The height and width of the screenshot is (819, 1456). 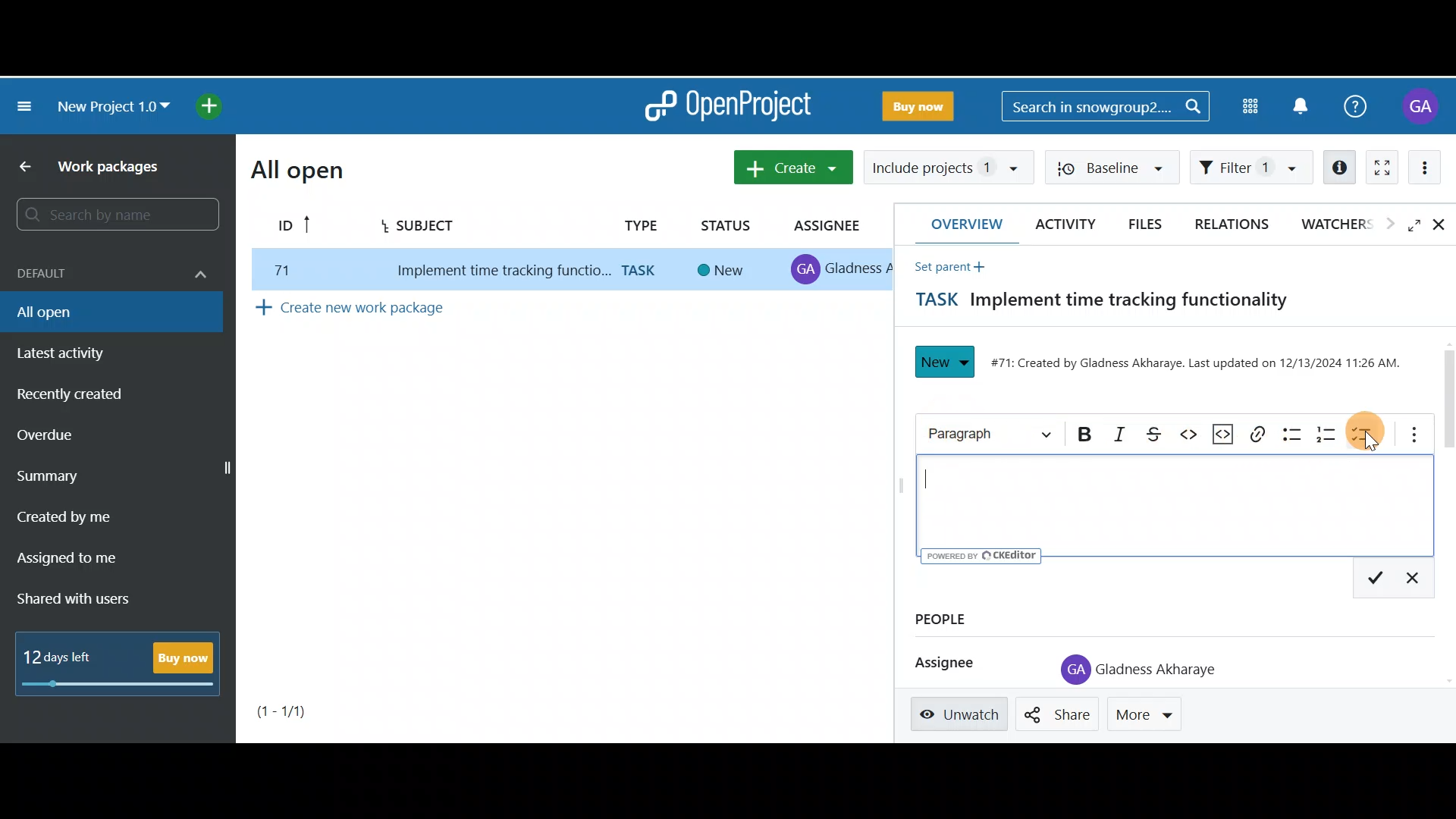 I want to click on Type, so click(x=638, y=224).